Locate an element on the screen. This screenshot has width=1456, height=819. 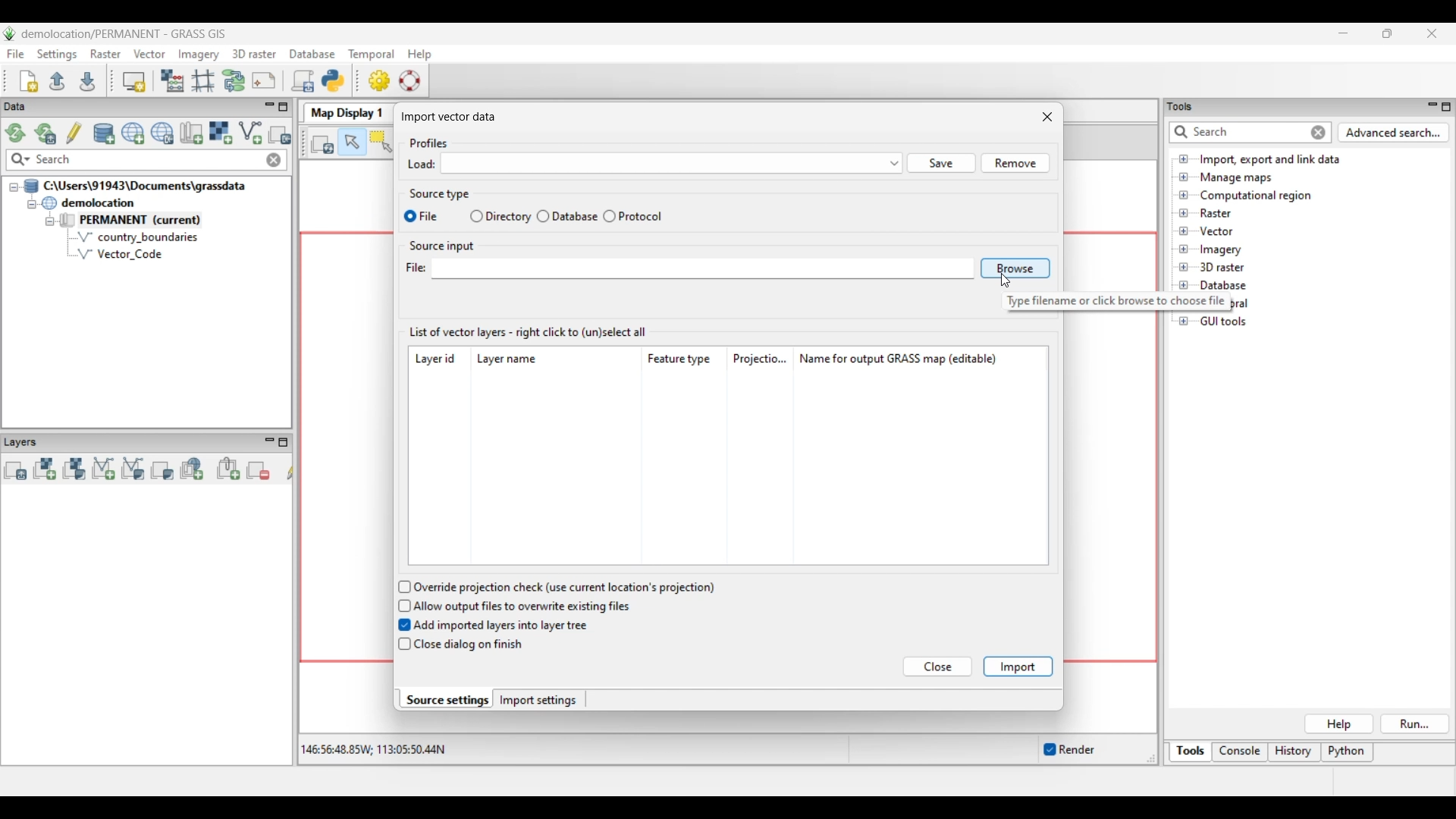
Add various raster map layers is located at coordinates (74, 469).